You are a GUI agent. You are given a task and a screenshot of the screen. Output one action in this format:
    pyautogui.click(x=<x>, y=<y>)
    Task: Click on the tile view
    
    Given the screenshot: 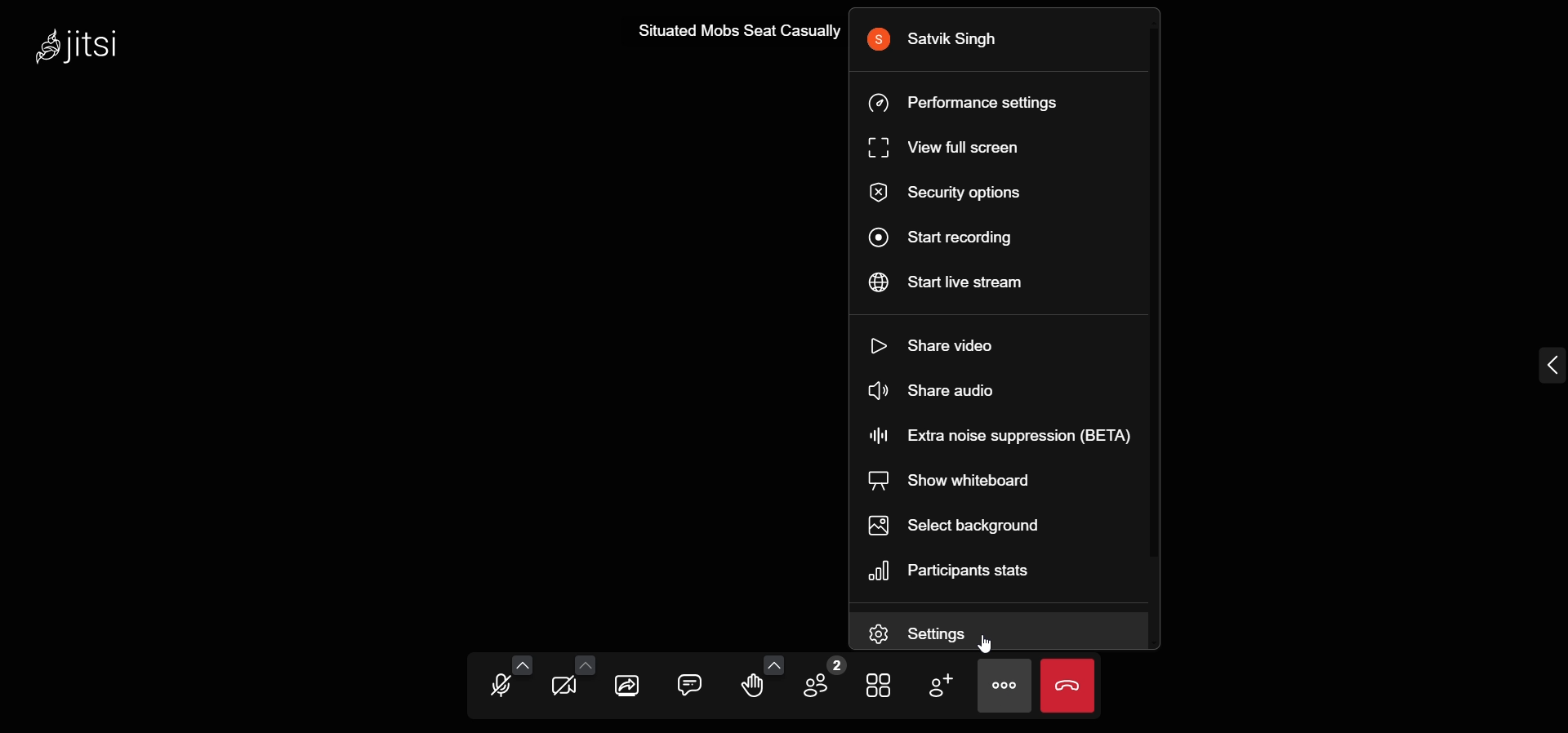 What is the action you would take?
    pyautogui.click(x=875, y=685)
    